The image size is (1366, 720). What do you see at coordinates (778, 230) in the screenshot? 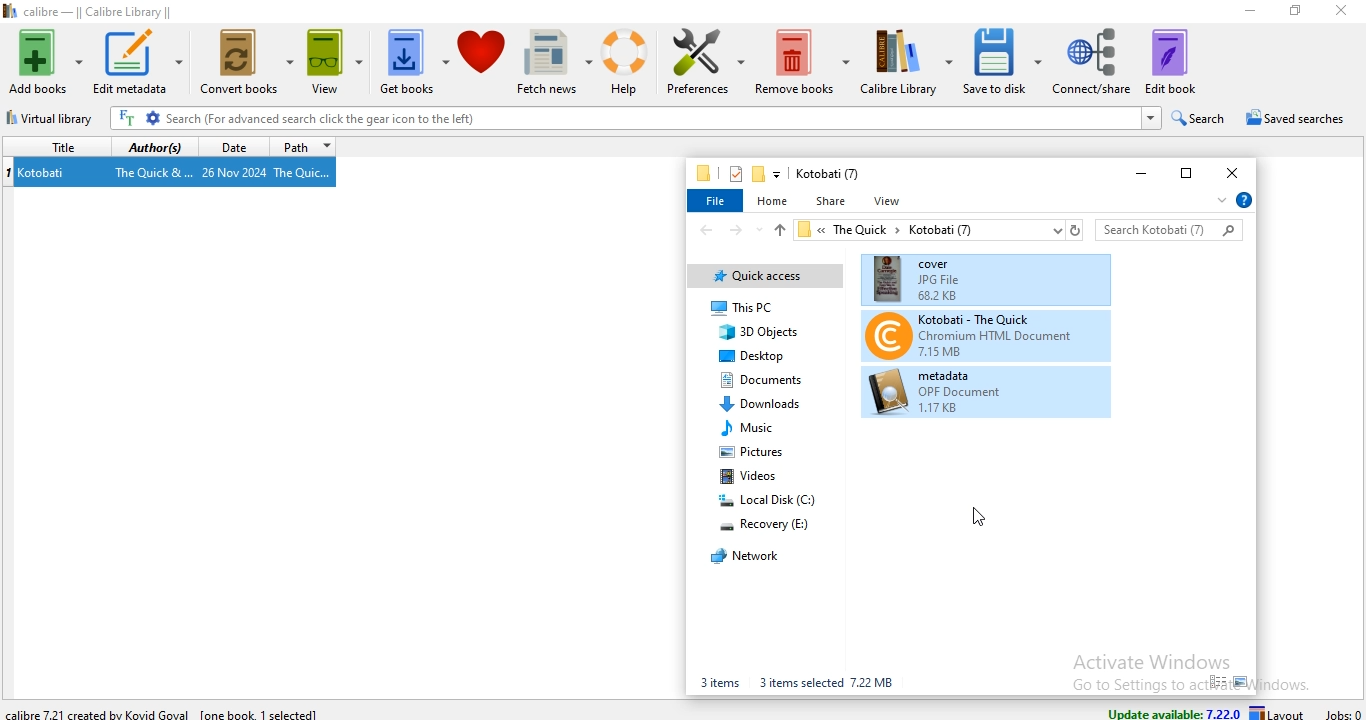
I see `up file path` at bounding box center [778, 230].